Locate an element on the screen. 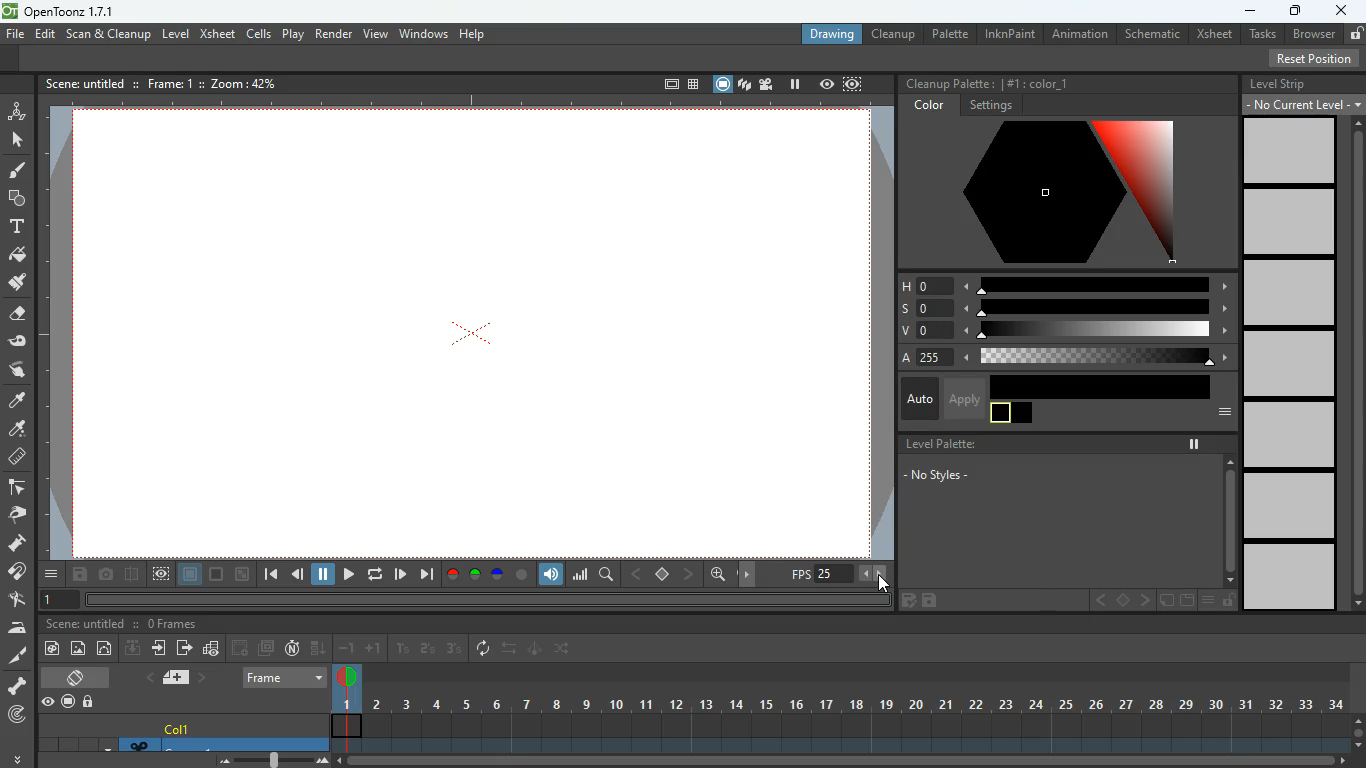 The width and height of the screenshot is (1366, 768). level is located at coordinates (1291, 292).